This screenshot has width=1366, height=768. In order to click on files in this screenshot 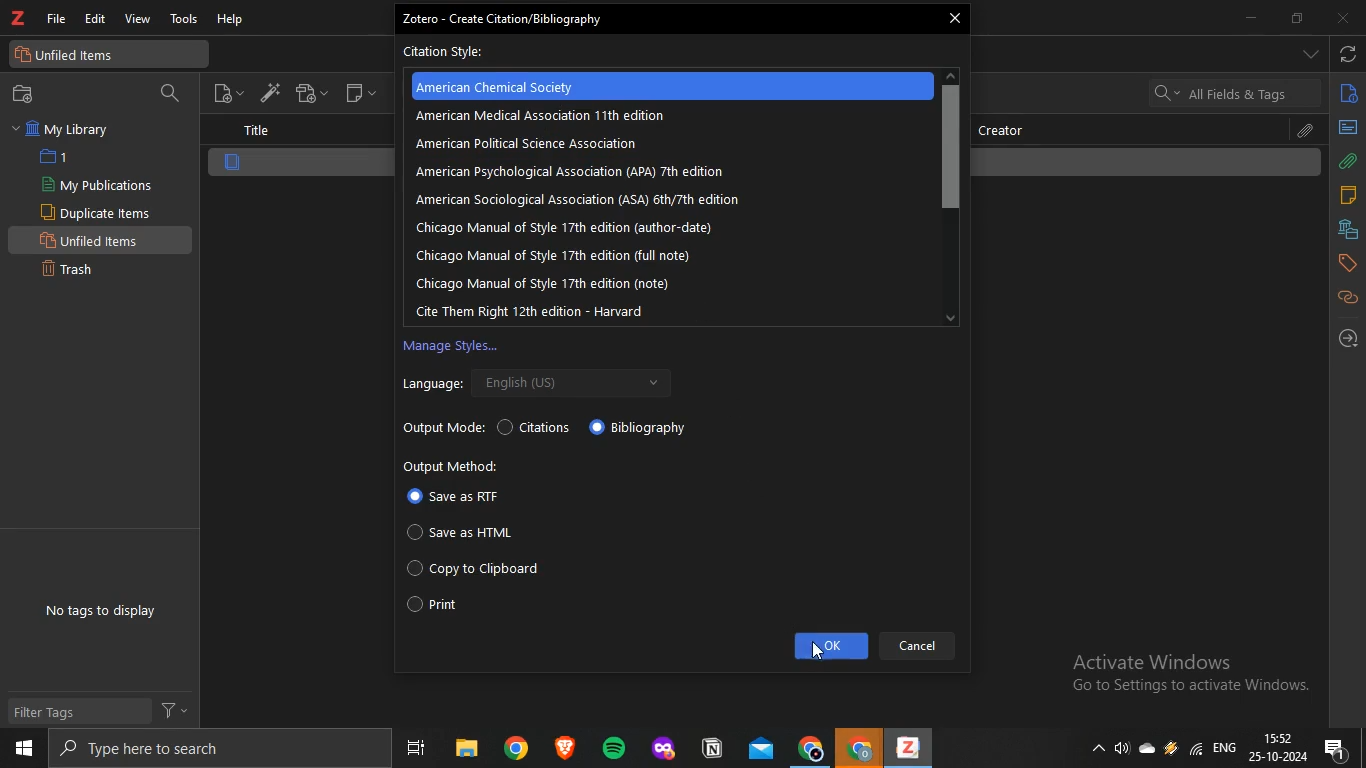, I will do `click(465, 748)`.